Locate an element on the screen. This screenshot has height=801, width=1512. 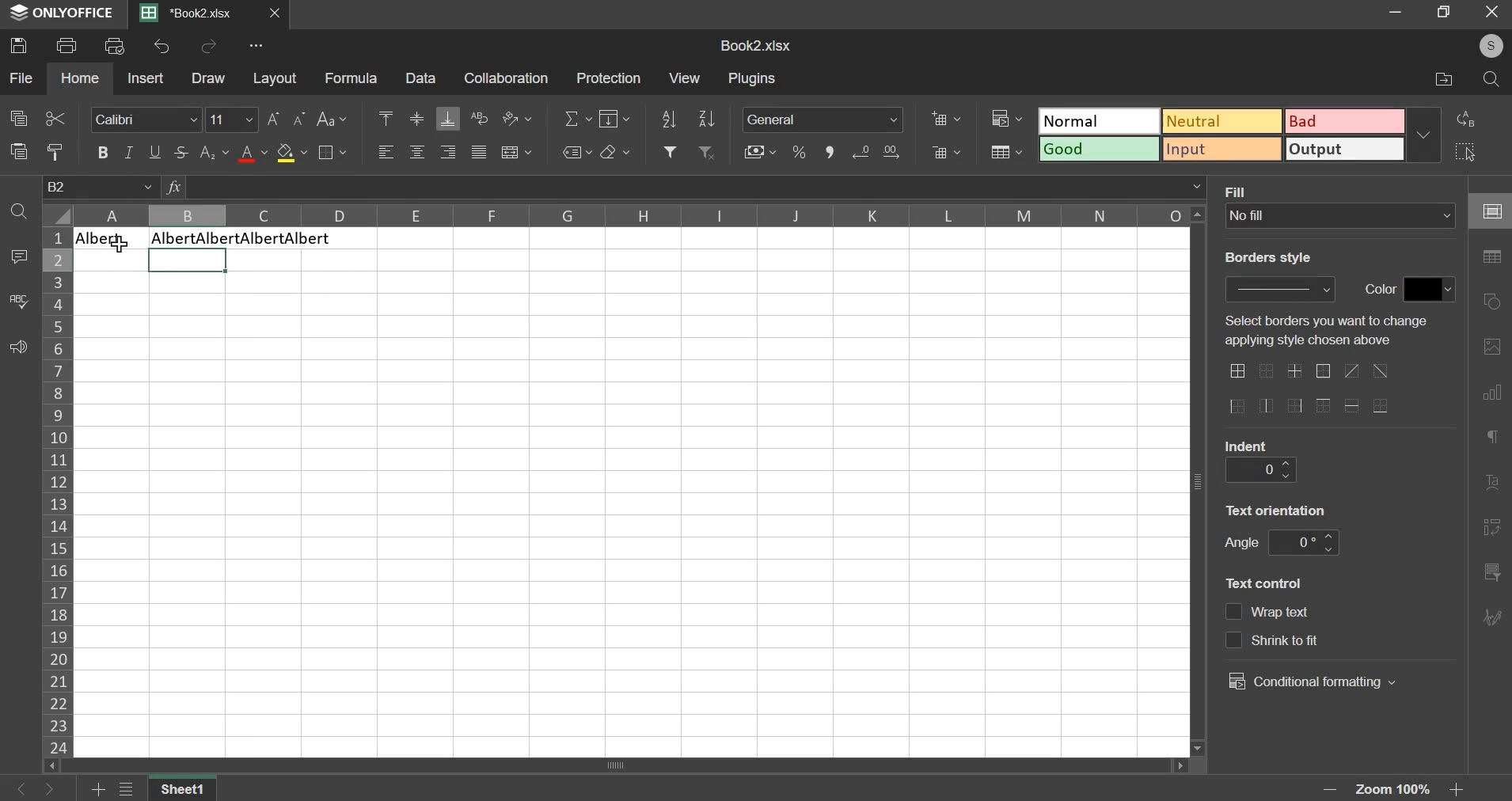
sort descending is located at coordinates (706, 119).